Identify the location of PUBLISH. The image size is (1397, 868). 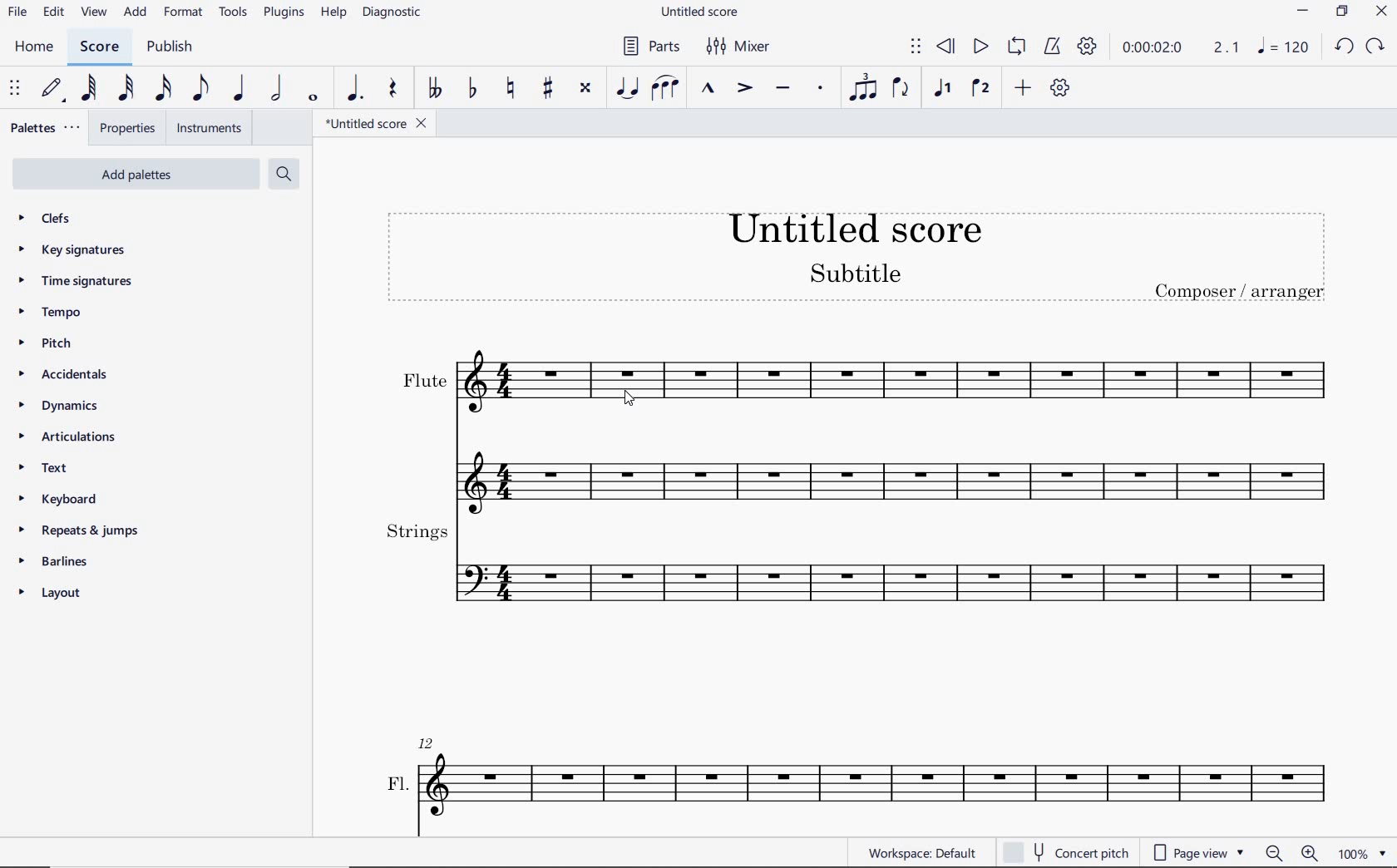
(170, 47).